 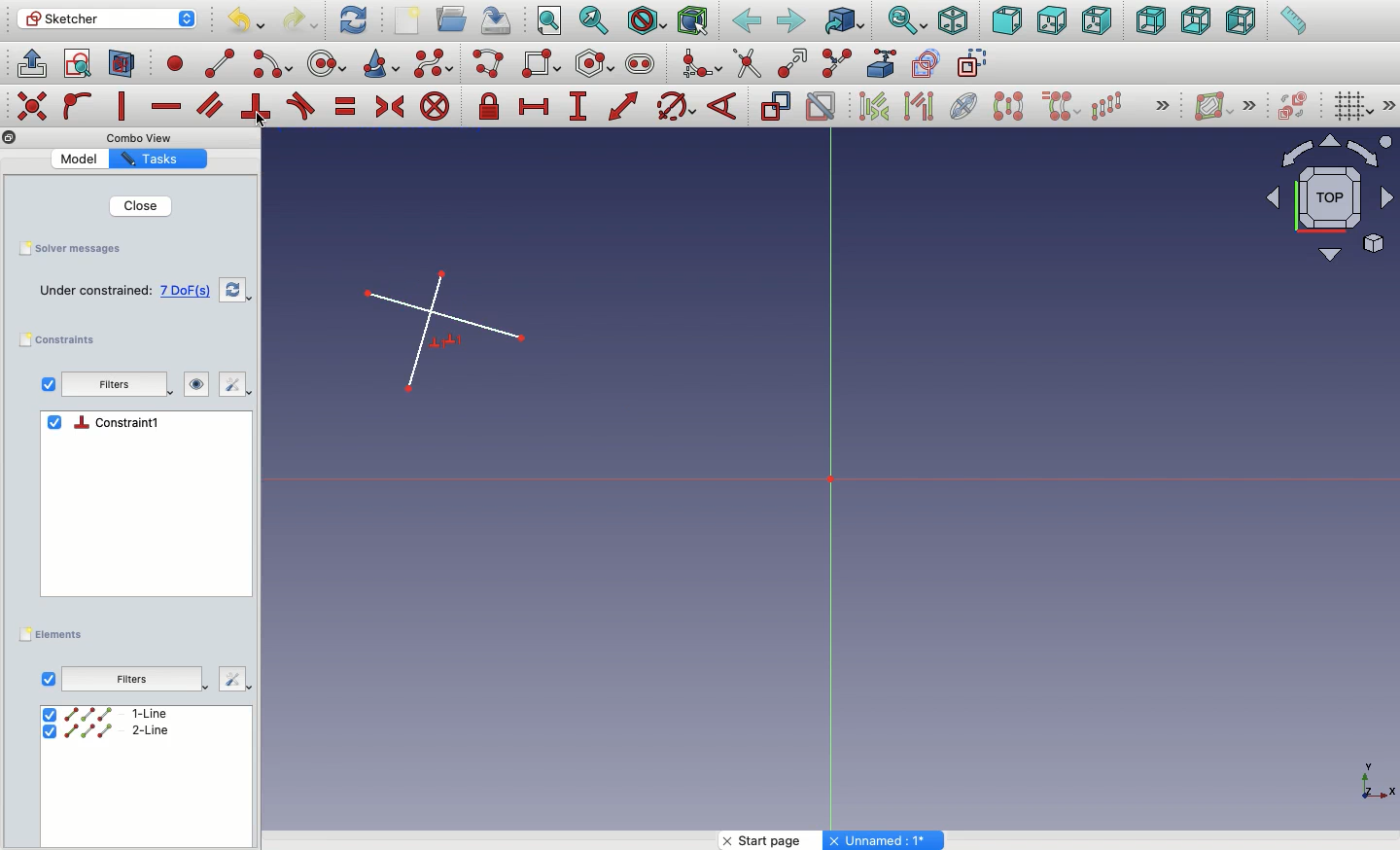 What do you see at coordinates (492, 64) in the screenshot?
I see `Polyline` at bounding box center [492, 64].